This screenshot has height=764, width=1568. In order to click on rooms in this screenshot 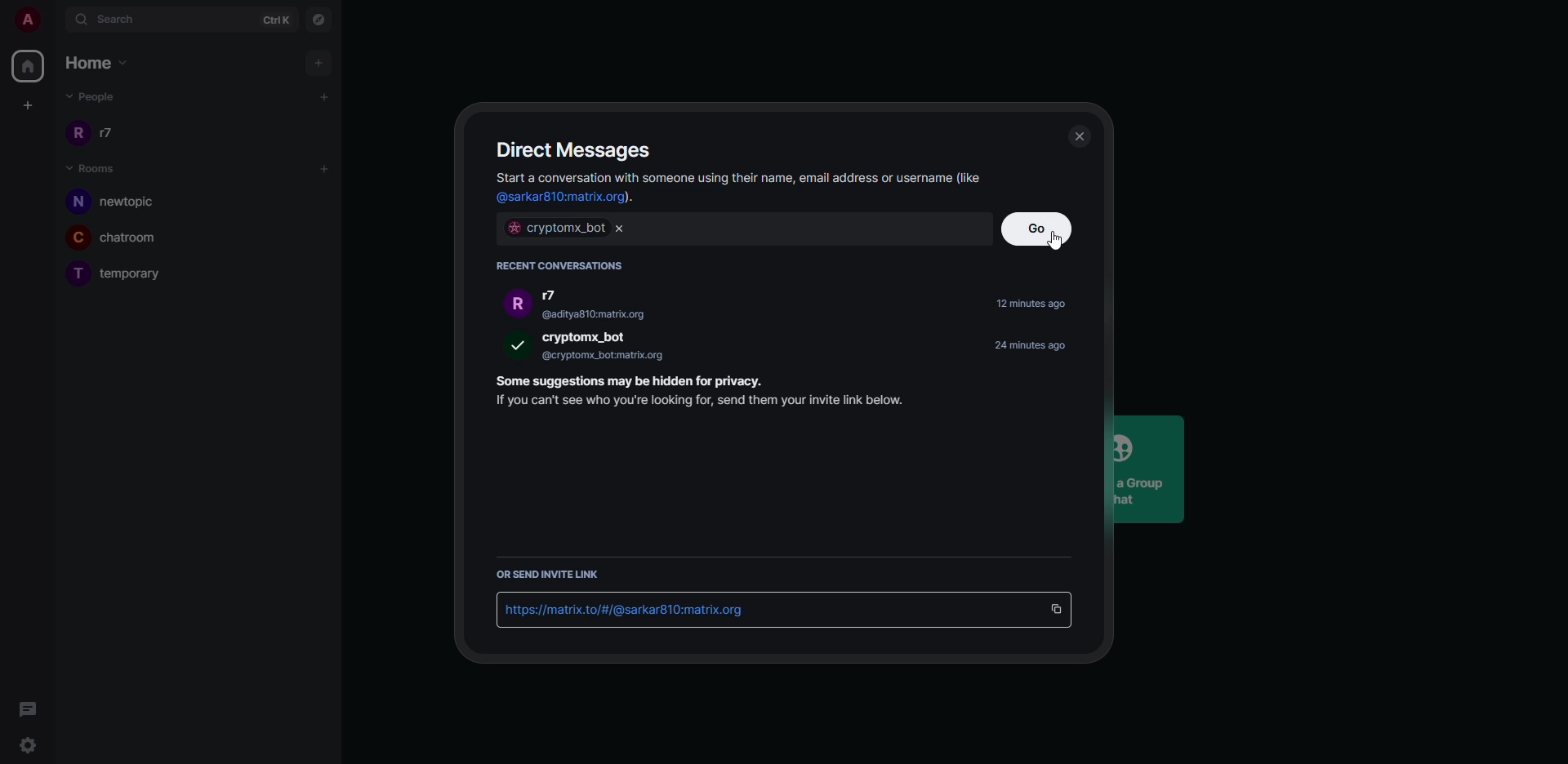, I will do `click(91, 169)`.